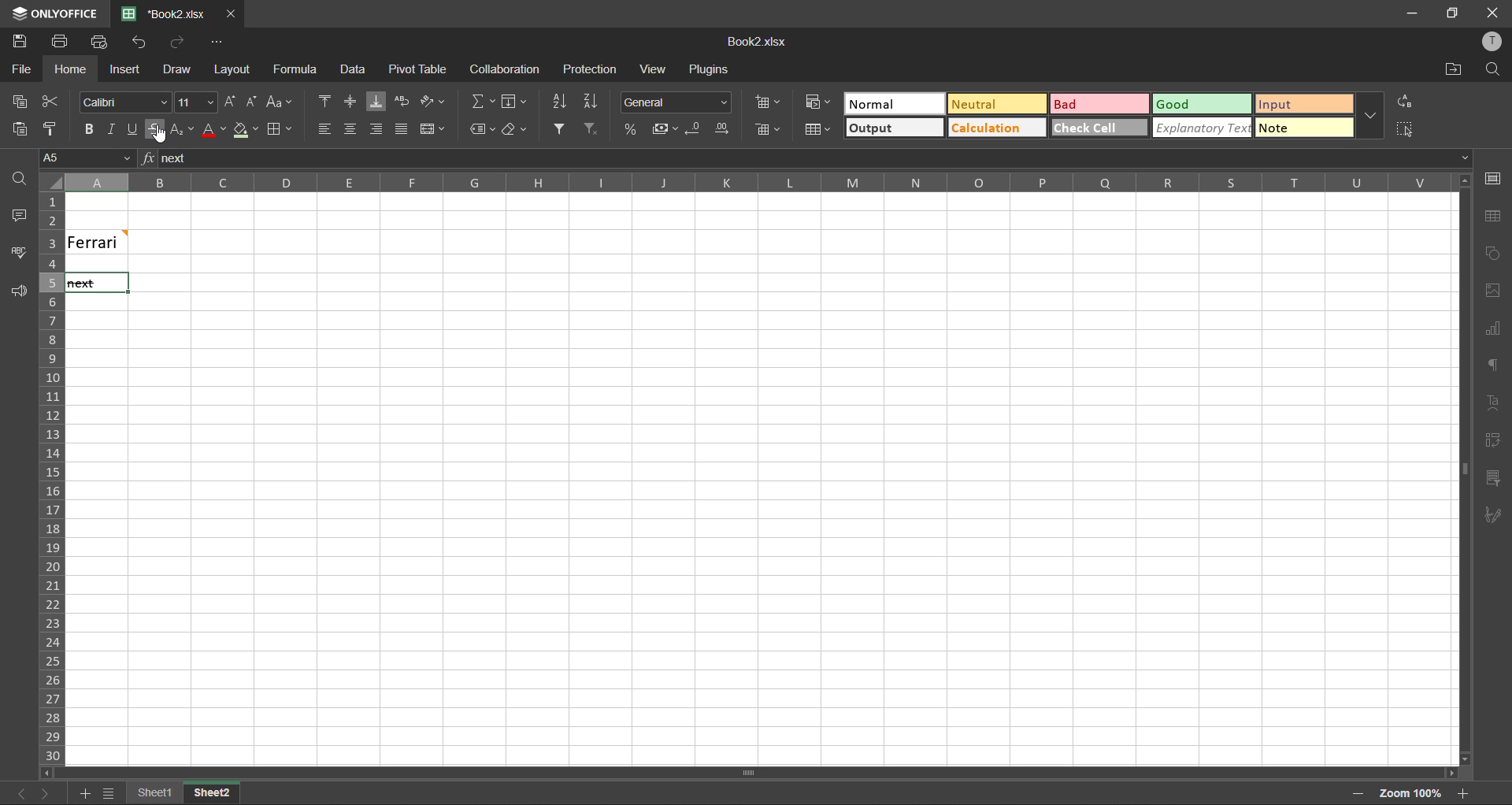 The height and width of the screenshot is (805, 1512). Describe the element at coordinates (1466, 790) in the screenshot. I see `zoom out` at that location.